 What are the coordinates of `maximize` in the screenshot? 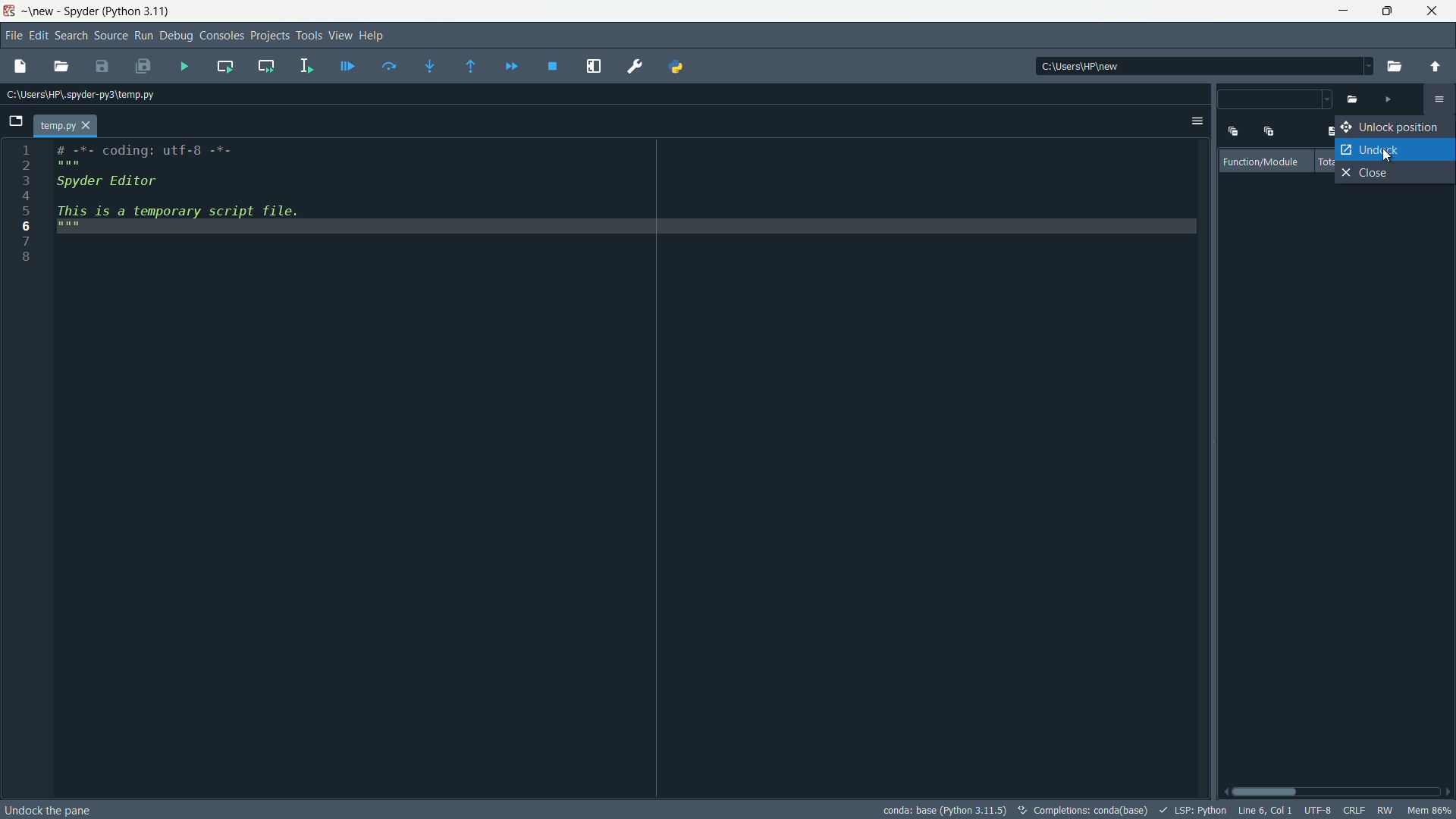 It's located at (1386, 11).